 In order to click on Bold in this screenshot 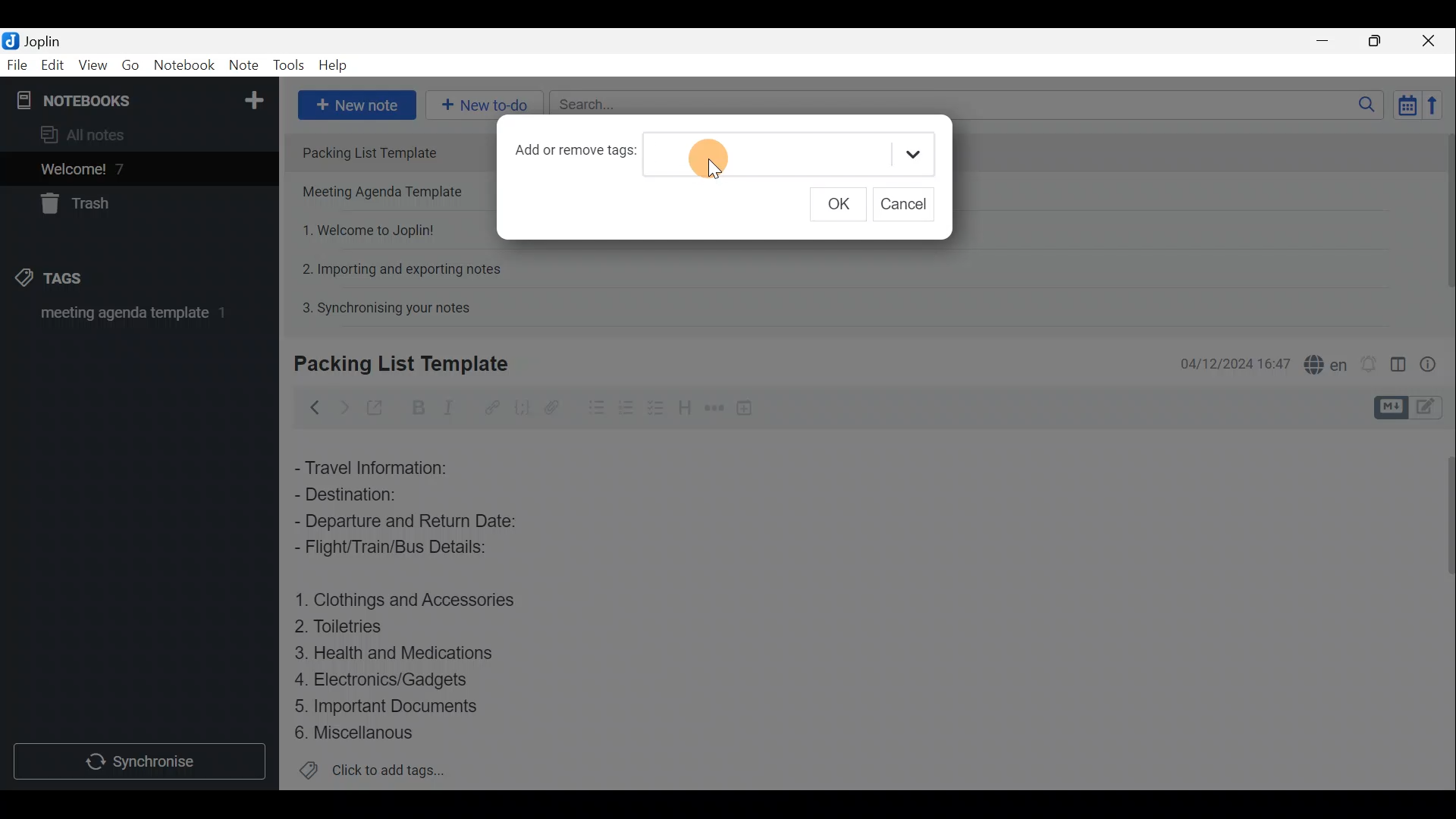, I will do `click(416, 406)`.